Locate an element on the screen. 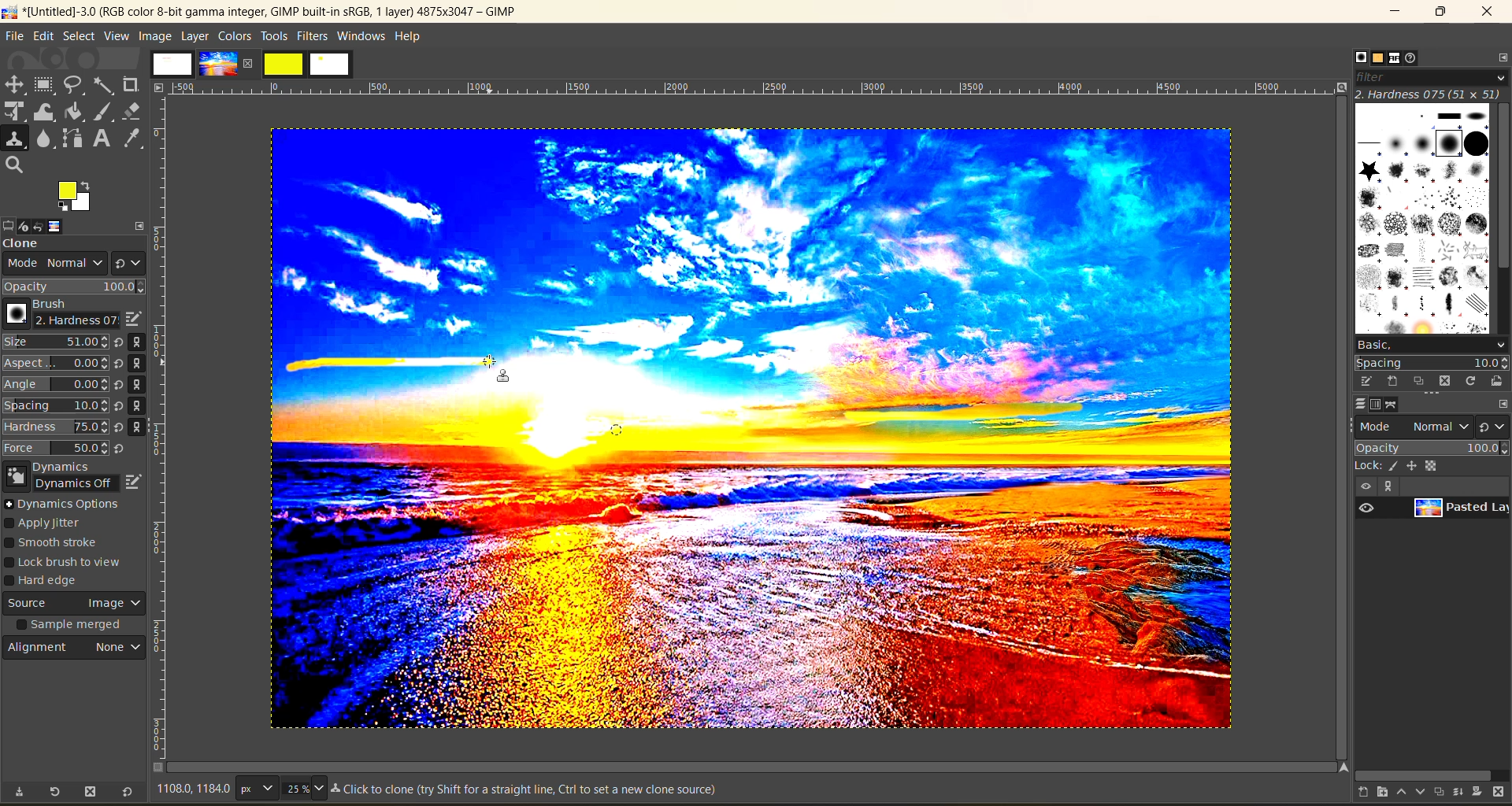 This screenshot has height=806, width=1512. basic is located at coordinates (1430, 344).